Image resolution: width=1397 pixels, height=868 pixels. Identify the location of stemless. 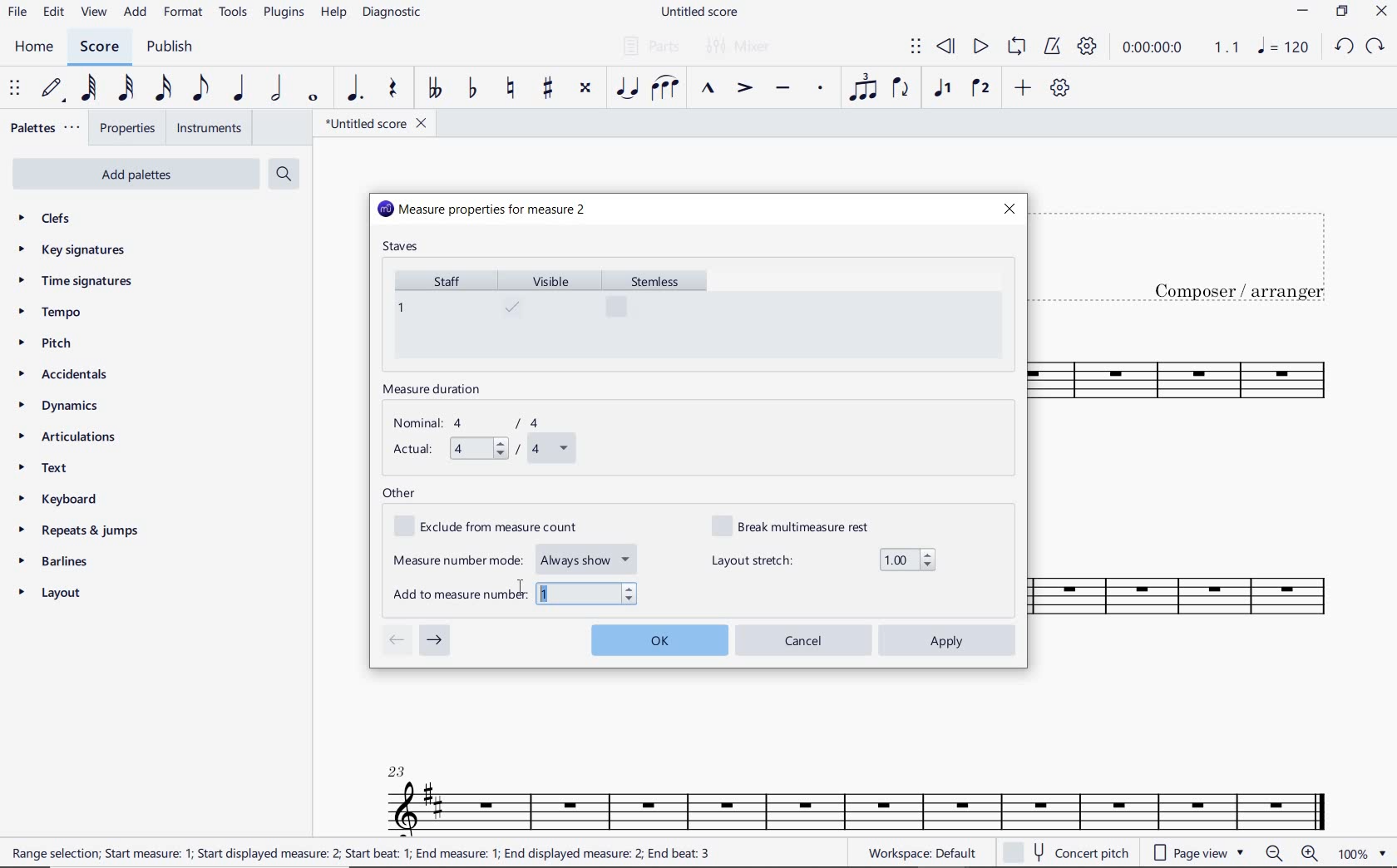
(662, 313).